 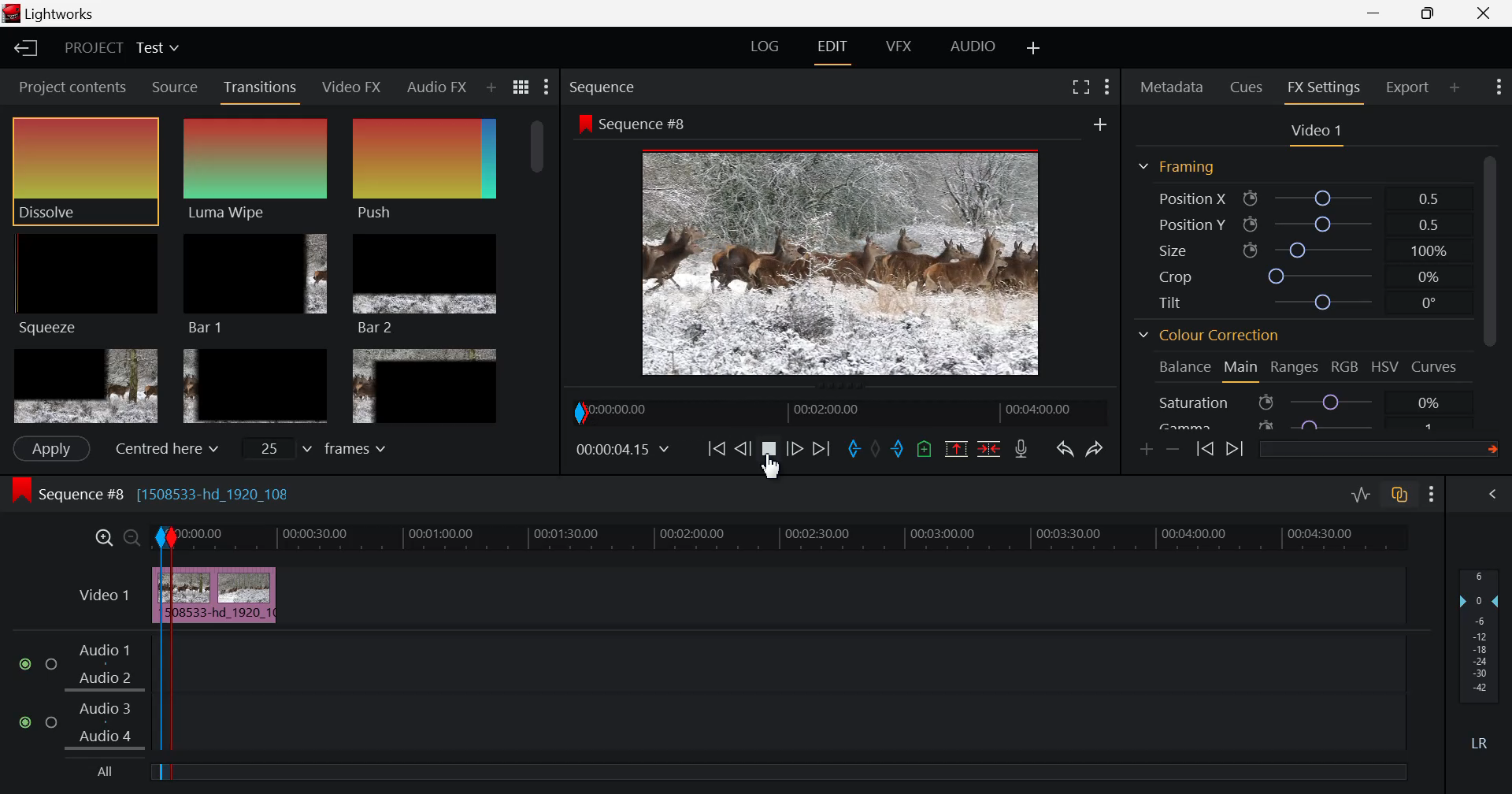 What do you see at coordinates (1318, 132) in the screenshot?
I see `Video 1 settings open` at bounding box center [1318, 132].